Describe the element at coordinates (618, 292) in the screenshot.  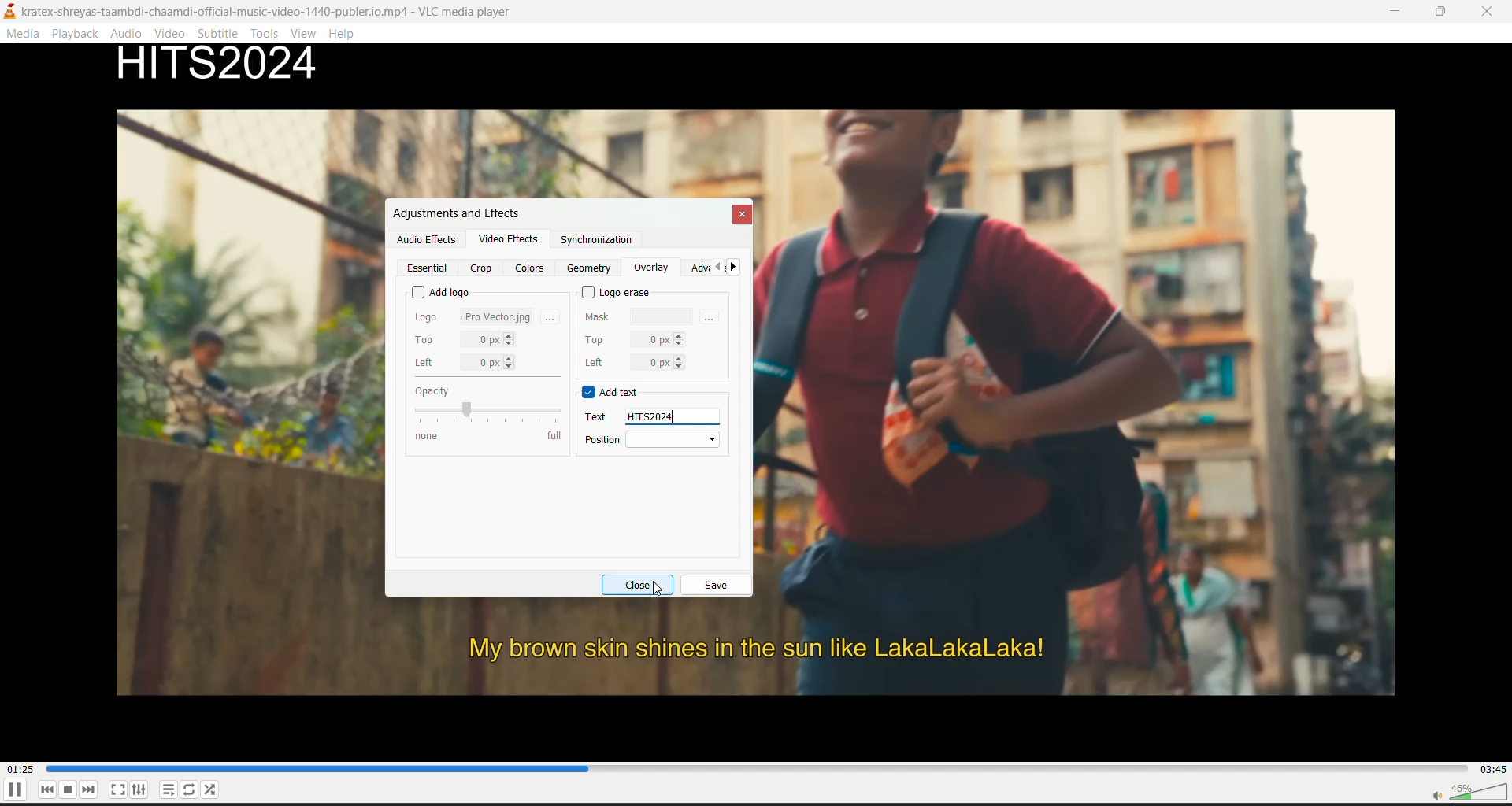
I see `logo erase` at that location.